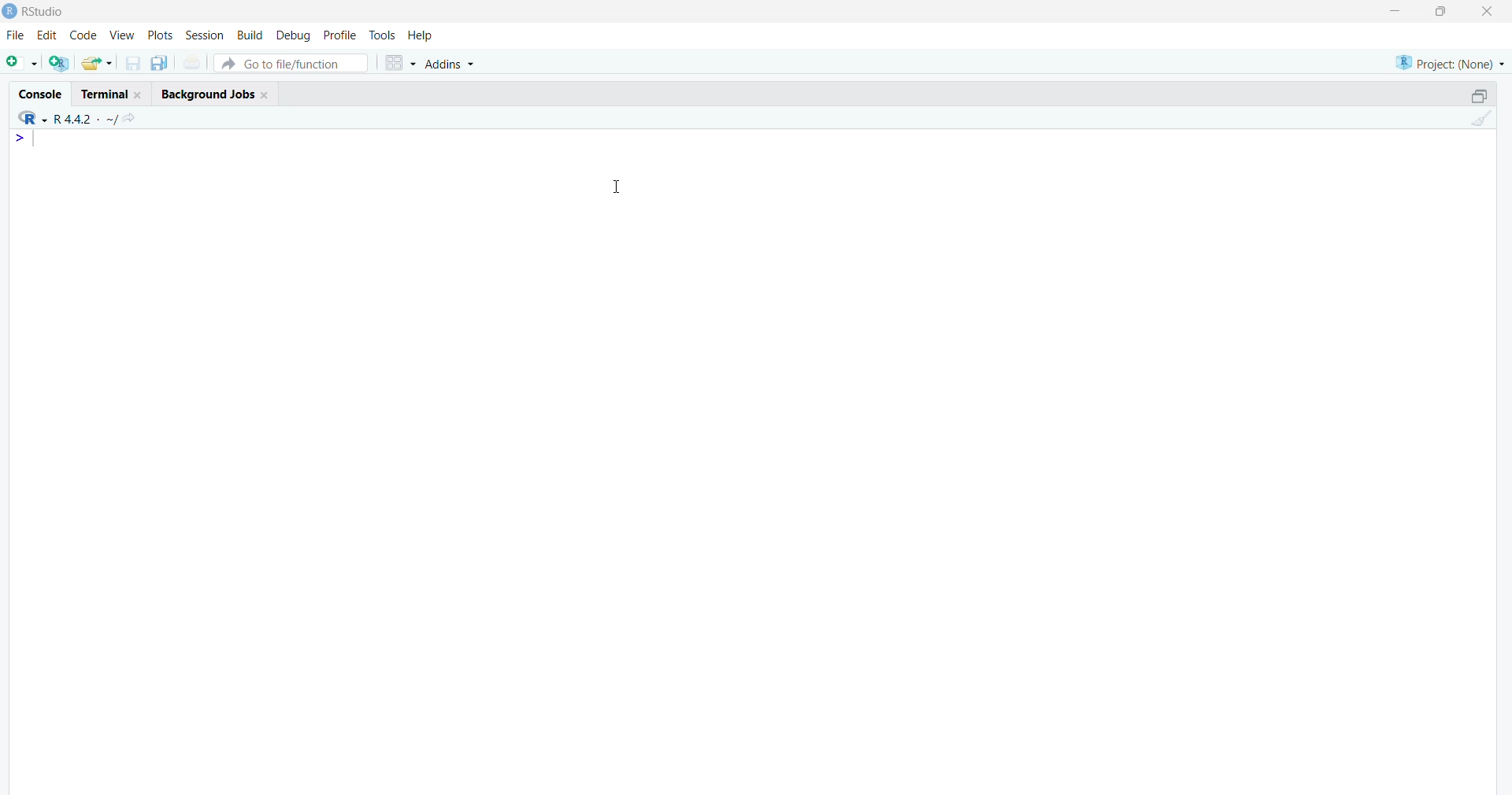 Image resolution: width=1512 pixels, height=795 pixels. Describe the element at coordinates (453, 65) in the screenshot. I see `Addins` at that location.